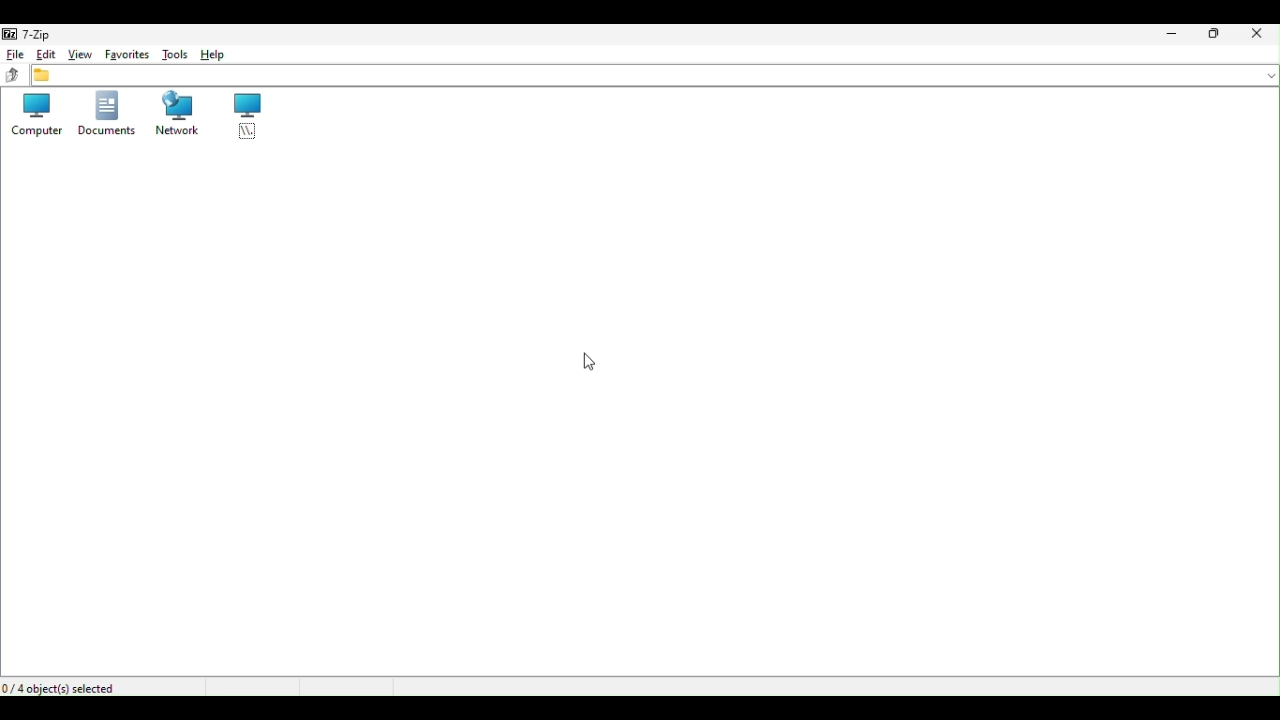  What do you see at coordinates (592, 360) in the screenshot?
I see `cursor` at bounding box center [592, 360].